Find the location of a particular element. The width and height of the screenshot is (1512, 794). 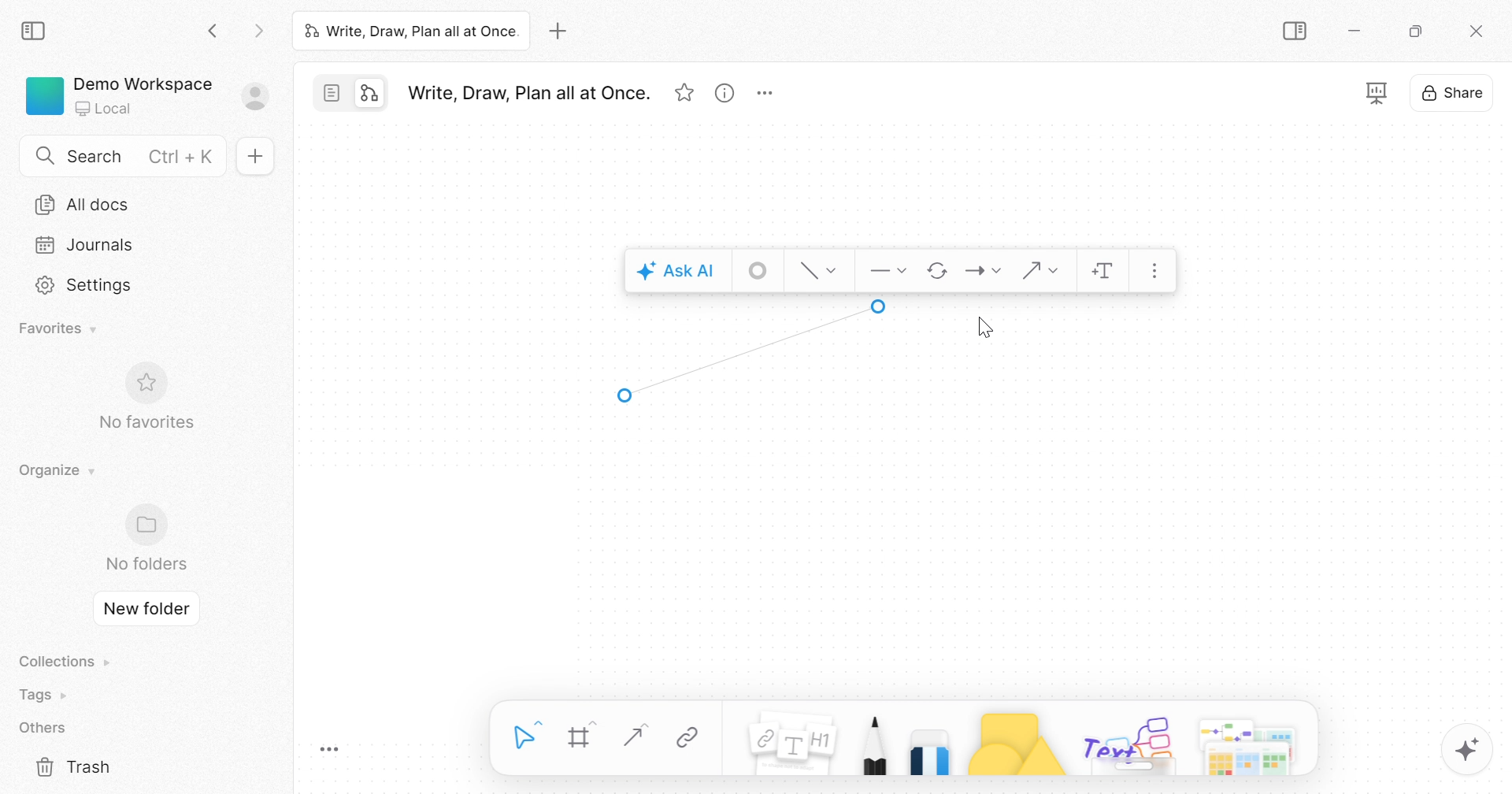

Minimize is located at coordinates (1359, 34).